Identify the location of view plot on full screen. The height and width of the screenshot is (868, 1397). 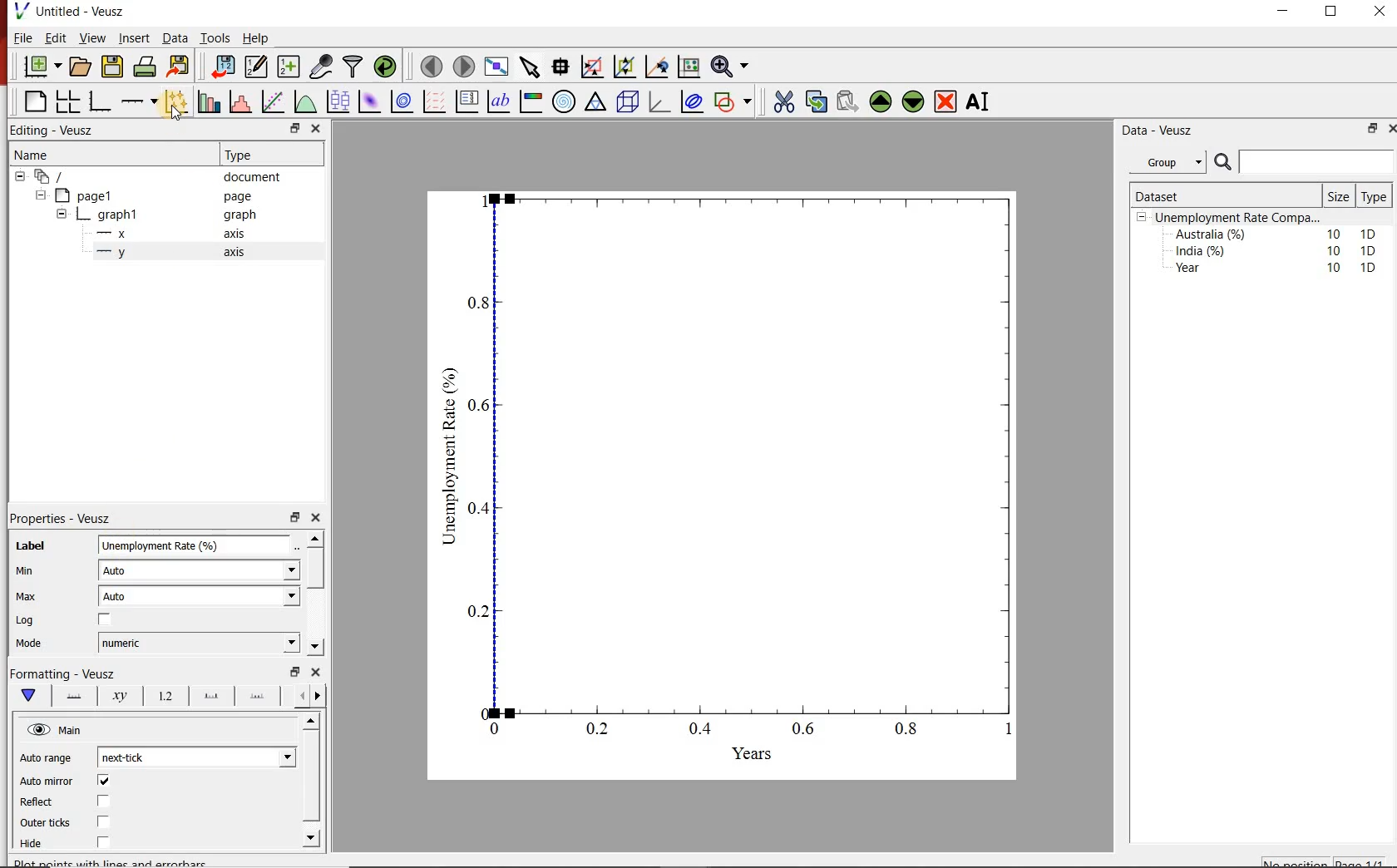
(498, 66).